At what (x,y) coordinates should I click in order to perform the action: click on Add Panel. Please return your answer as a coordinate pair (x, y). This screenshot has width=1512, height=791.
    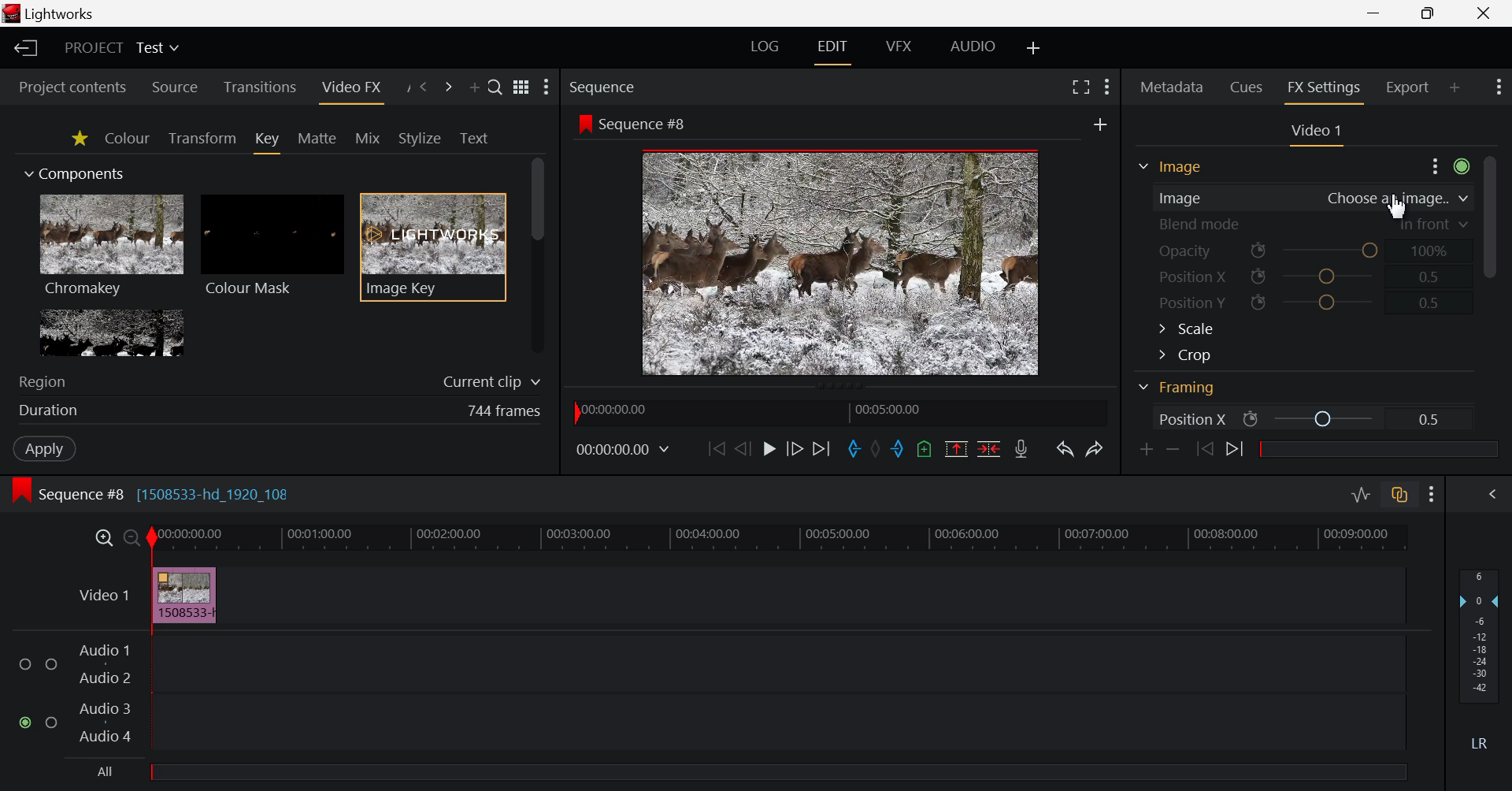
    Looking at the image, I should click on (474, 85).